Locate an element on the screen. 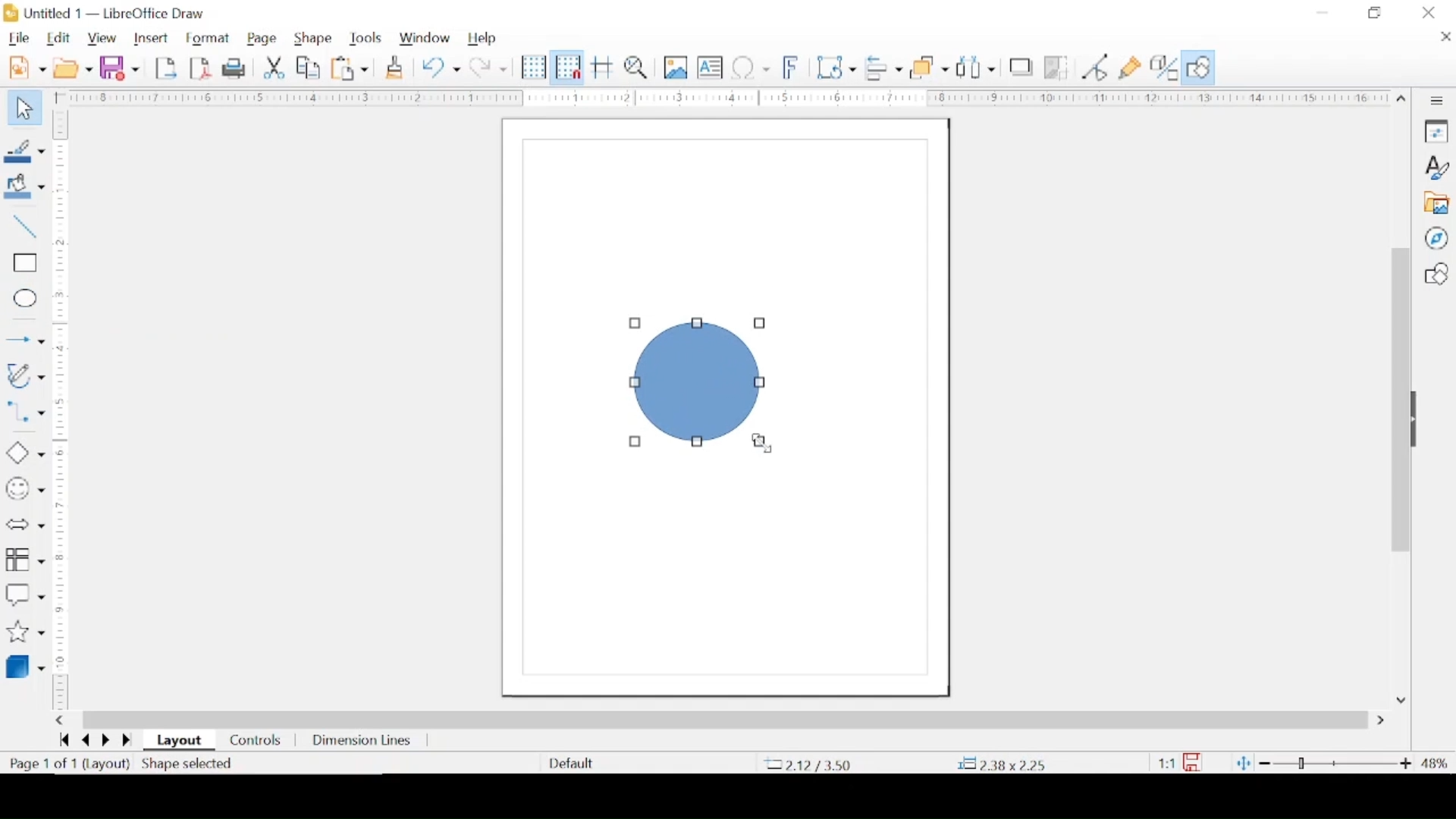 This screenshot has width=1456, height=819. (layout) shape selected is located at coordinates (159, 764).